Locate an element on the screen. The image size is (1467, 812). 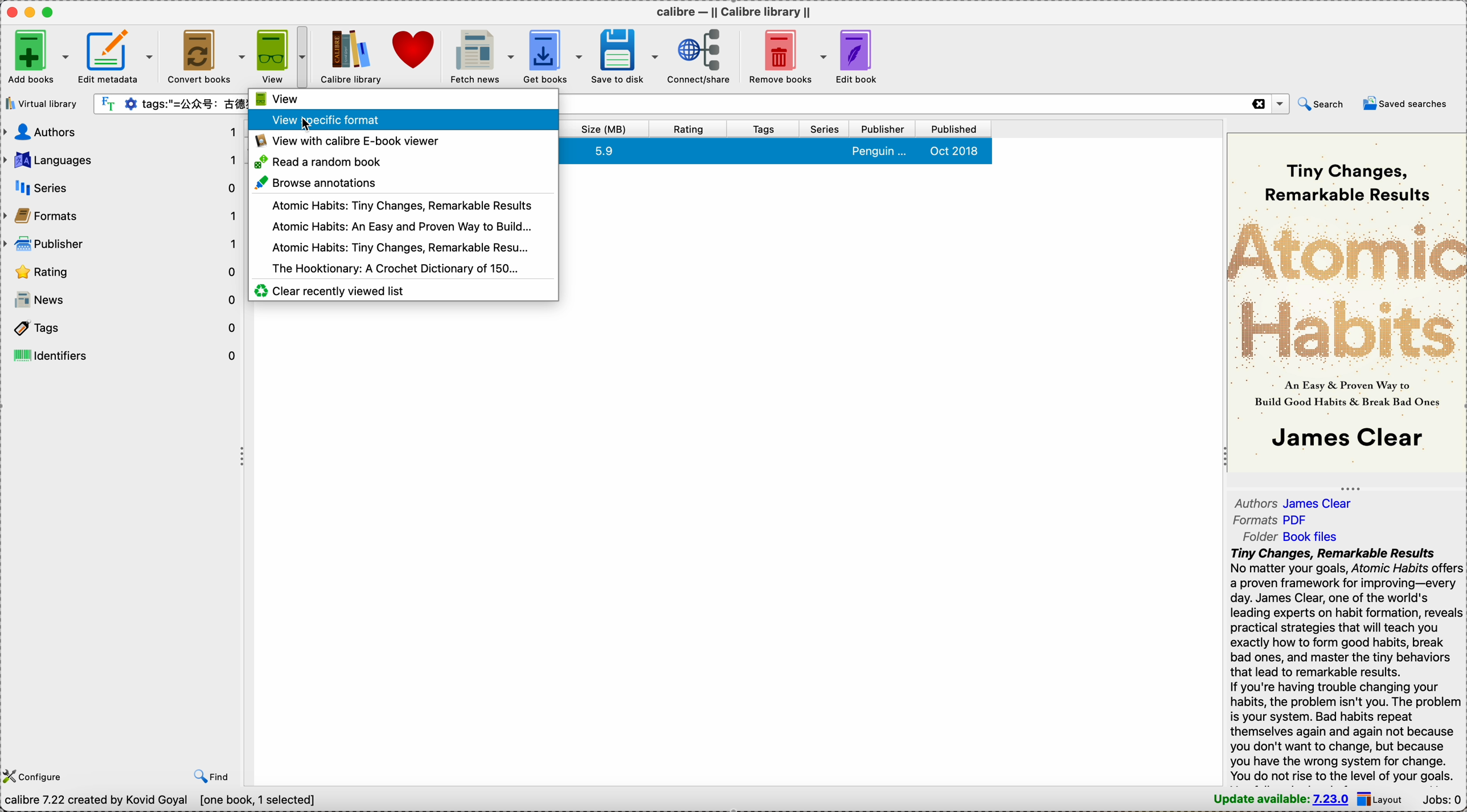
publisher is located at coordinates (122, 242).